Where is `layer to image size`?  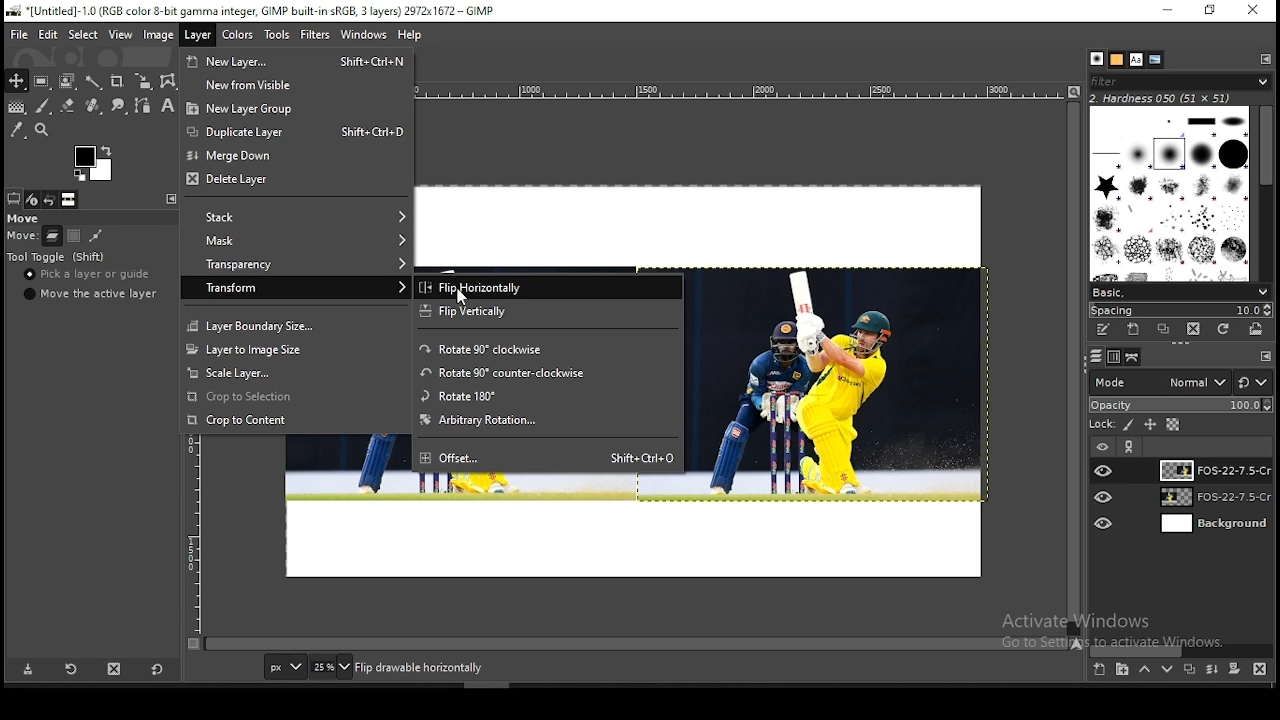 layer to image size is located at coordinates (296, 348).